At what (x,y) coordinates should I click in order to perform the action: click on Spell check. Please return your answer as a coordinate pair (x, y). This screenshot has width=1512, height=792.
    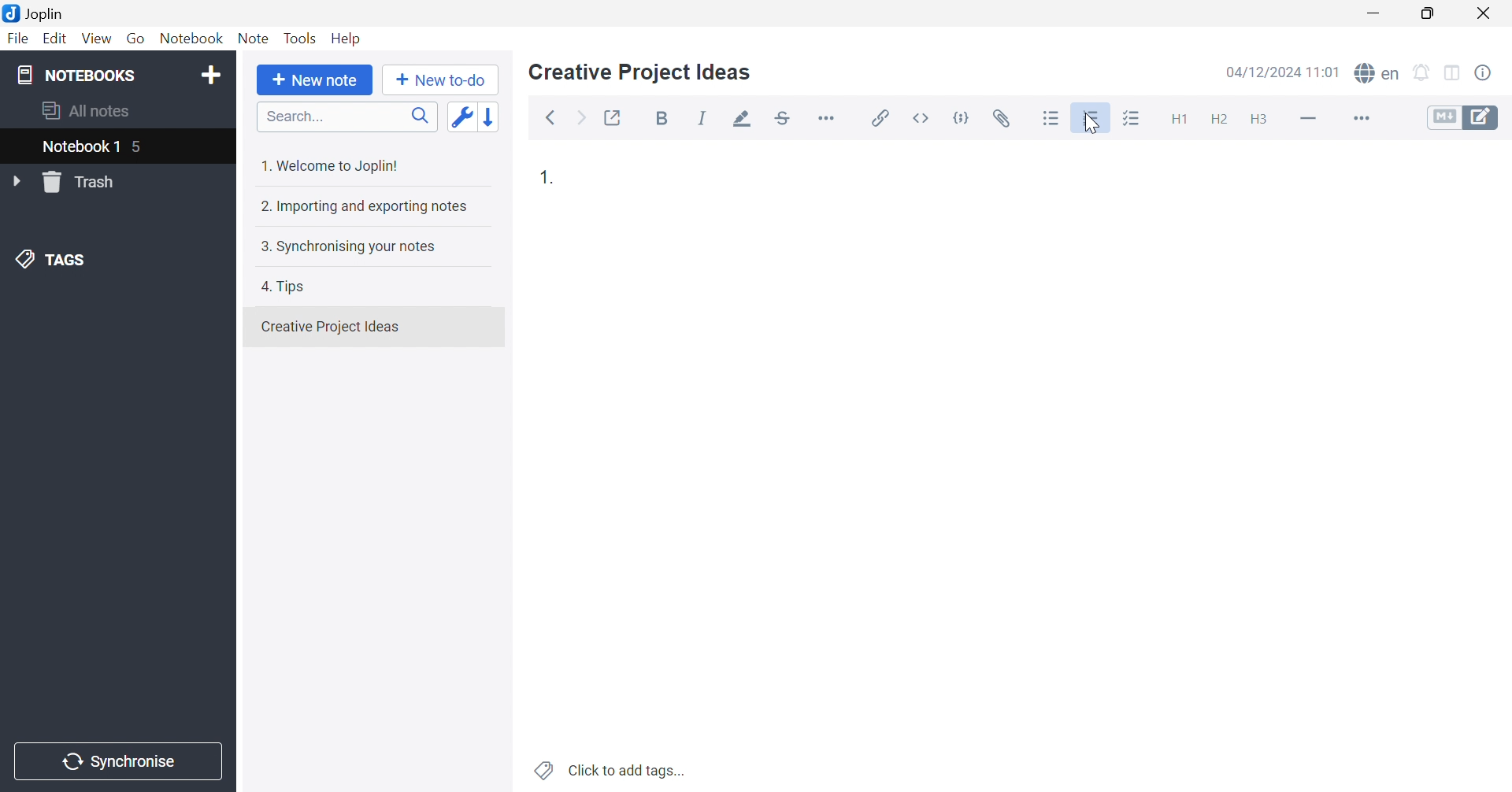
    Looking at the image, I should click on (1378, 75).